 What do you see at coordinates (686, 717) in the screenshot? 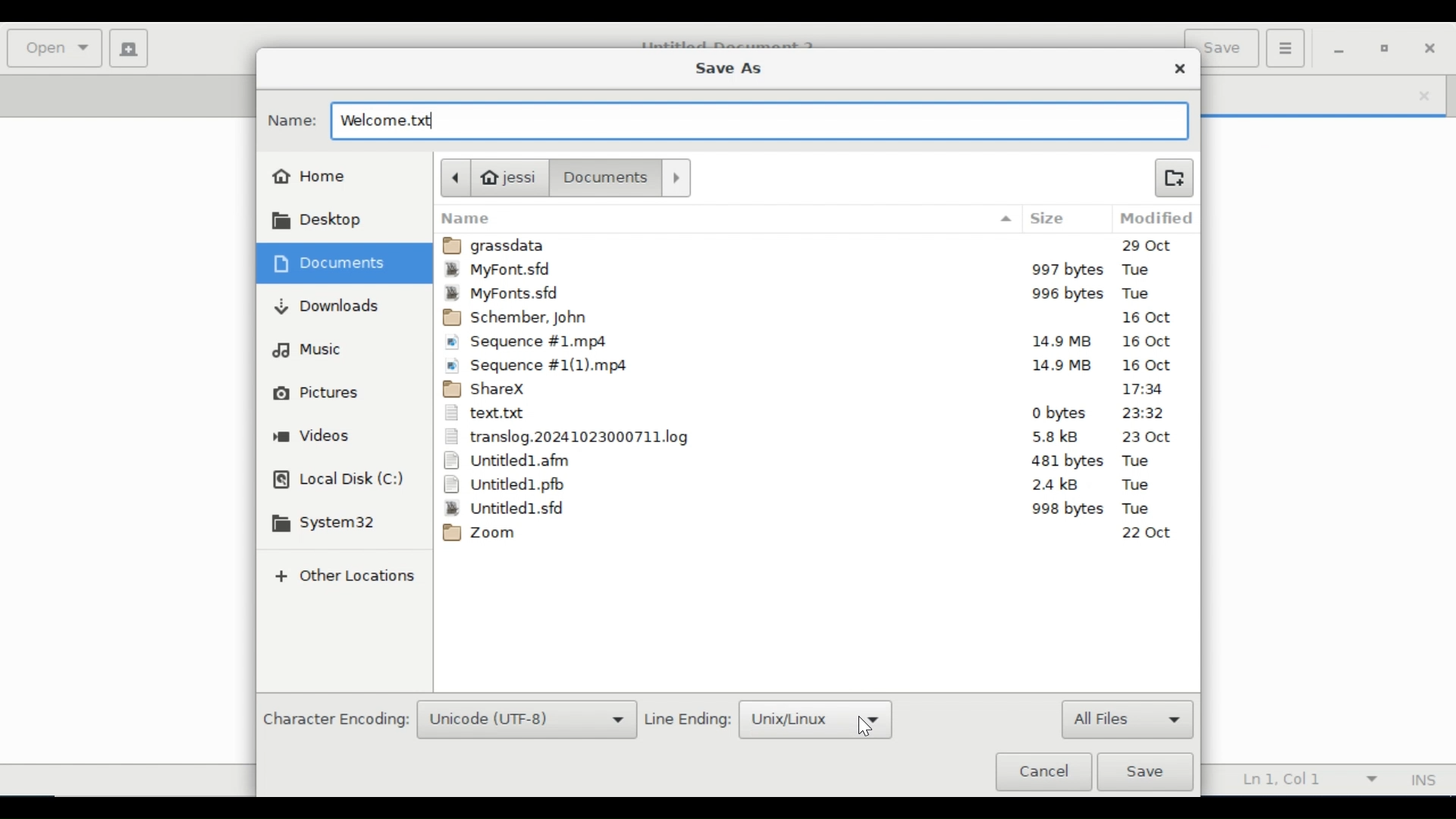
I see `Line Ending` at bounding box center [686, 717].